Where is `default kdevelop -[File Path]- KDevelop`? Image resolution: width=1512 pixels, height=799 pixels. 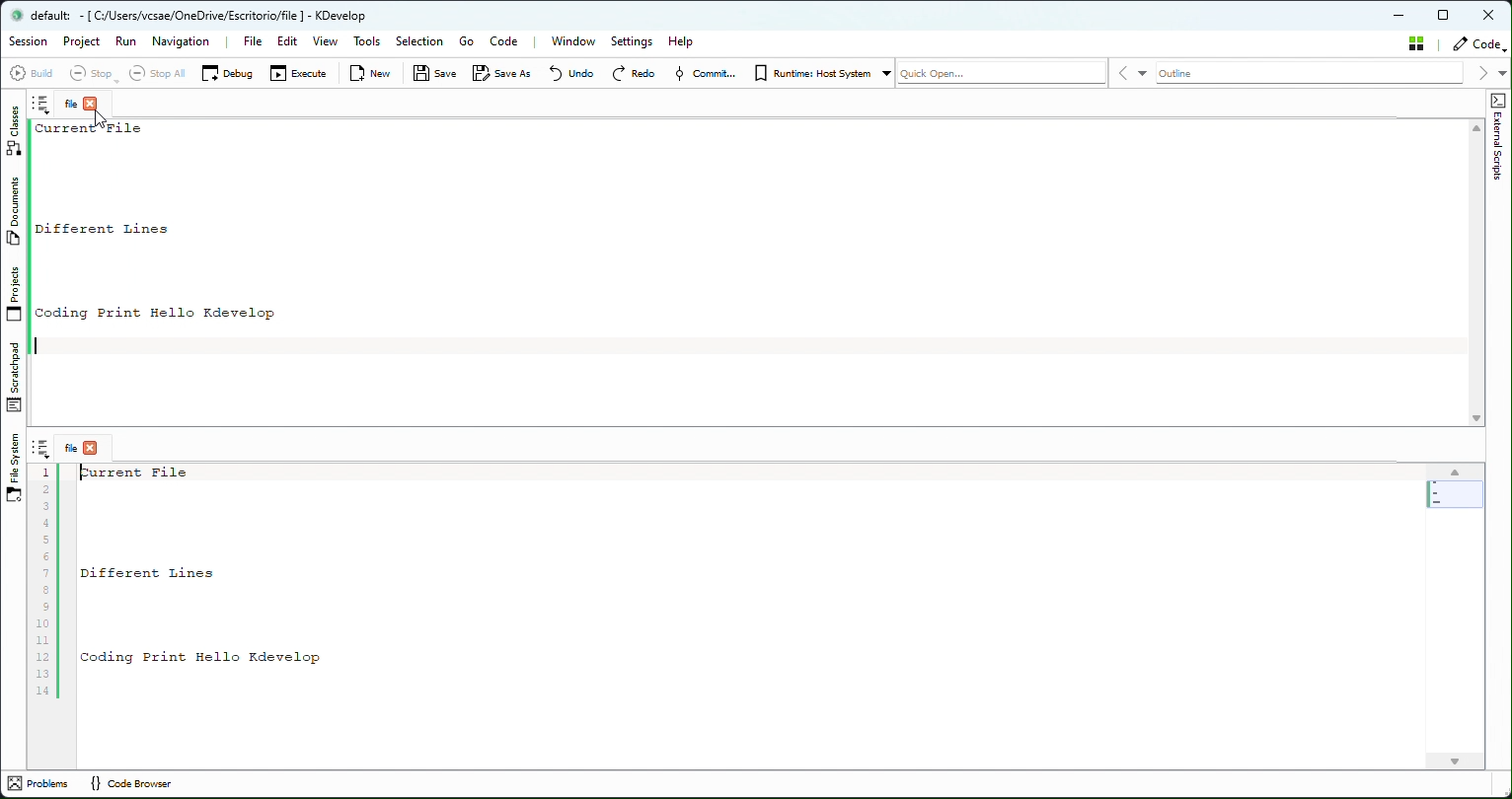 default kdevelop -[File Path]- KDevelop is located at coordinates (213, 15).